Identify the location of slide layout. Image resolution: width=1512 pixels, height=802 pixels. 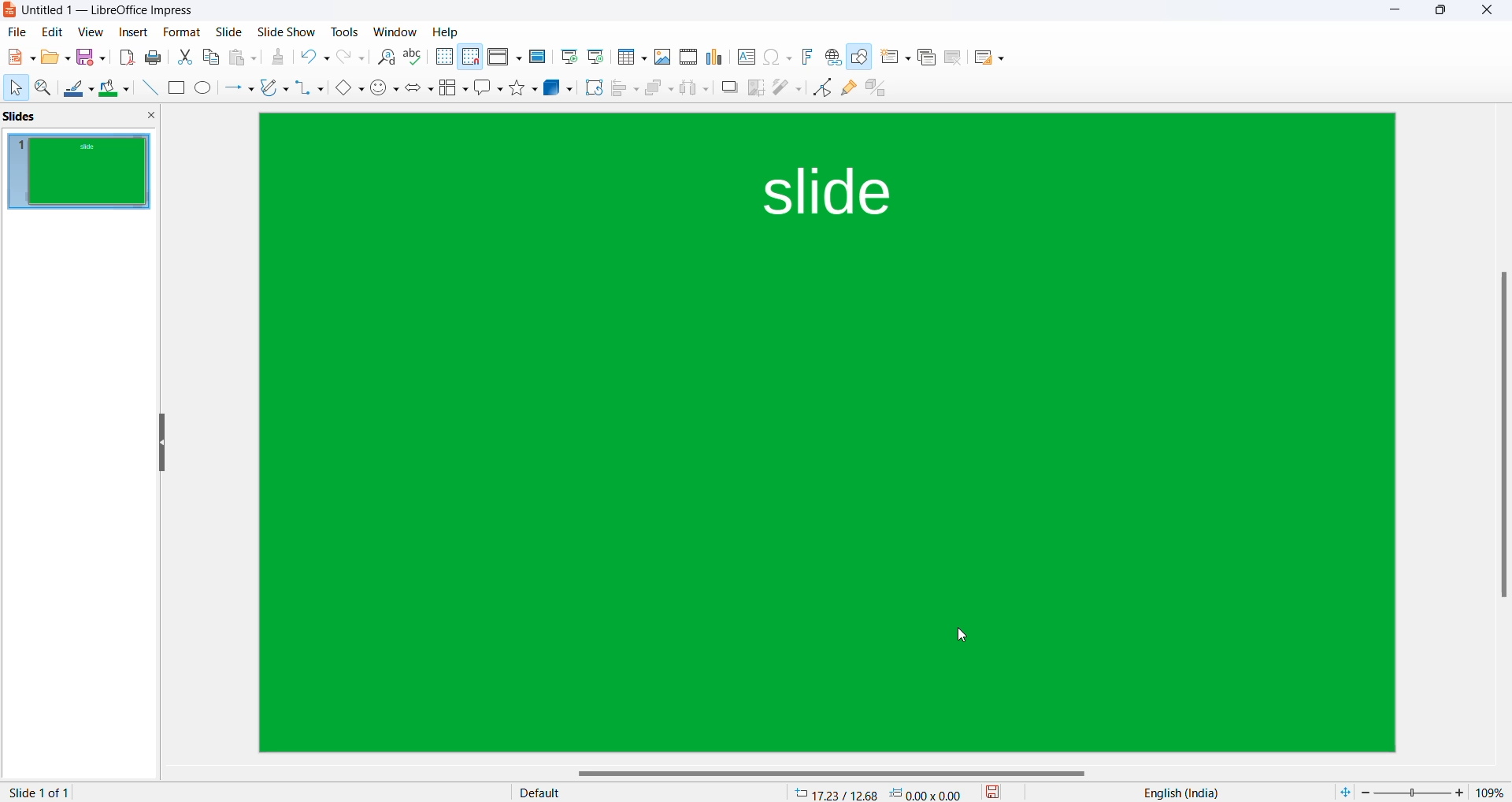
(988, 61).